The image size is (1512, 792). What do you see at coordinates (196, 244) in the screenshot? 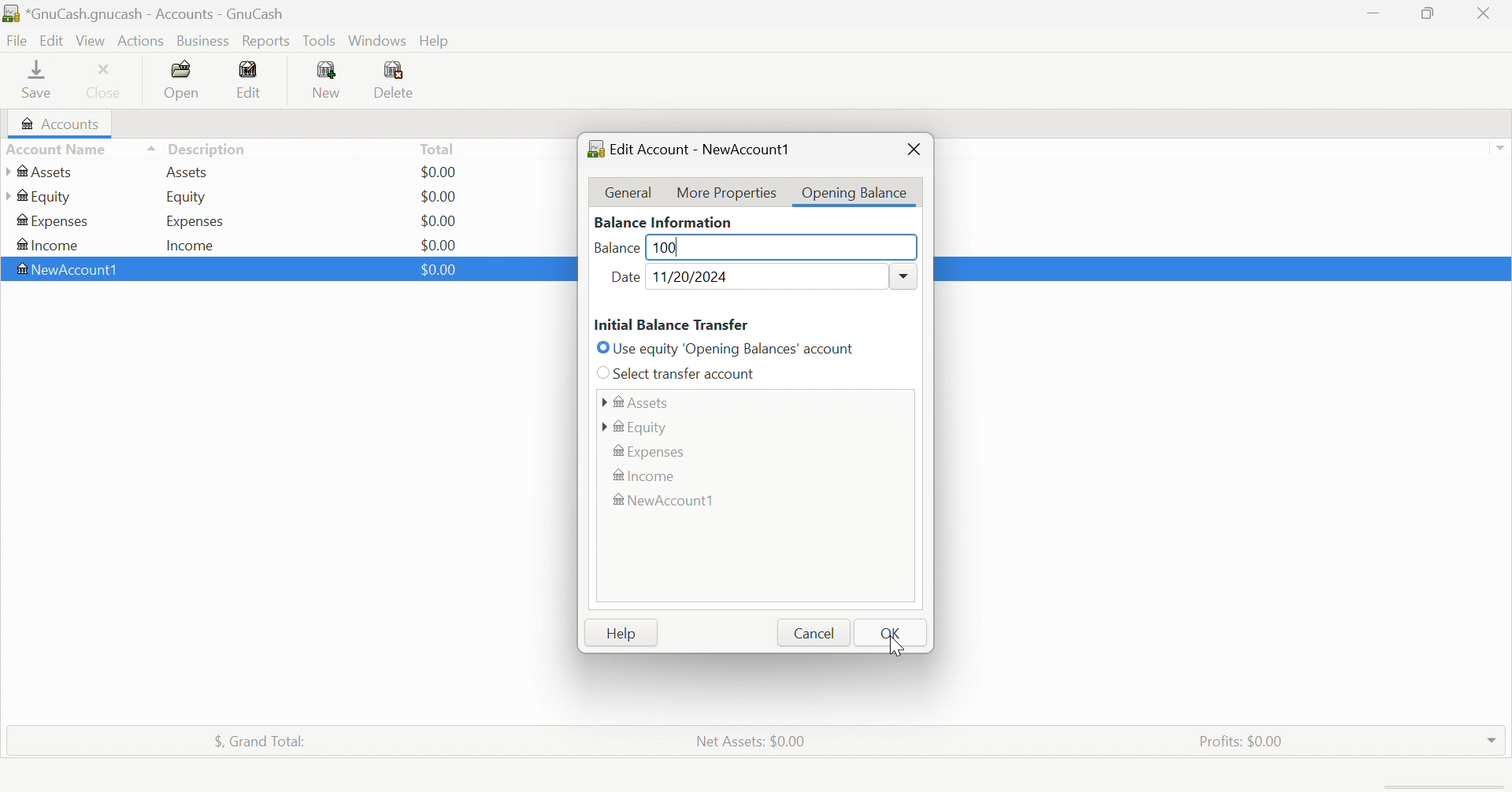
I see `Income` at bounding box center [196, 244].